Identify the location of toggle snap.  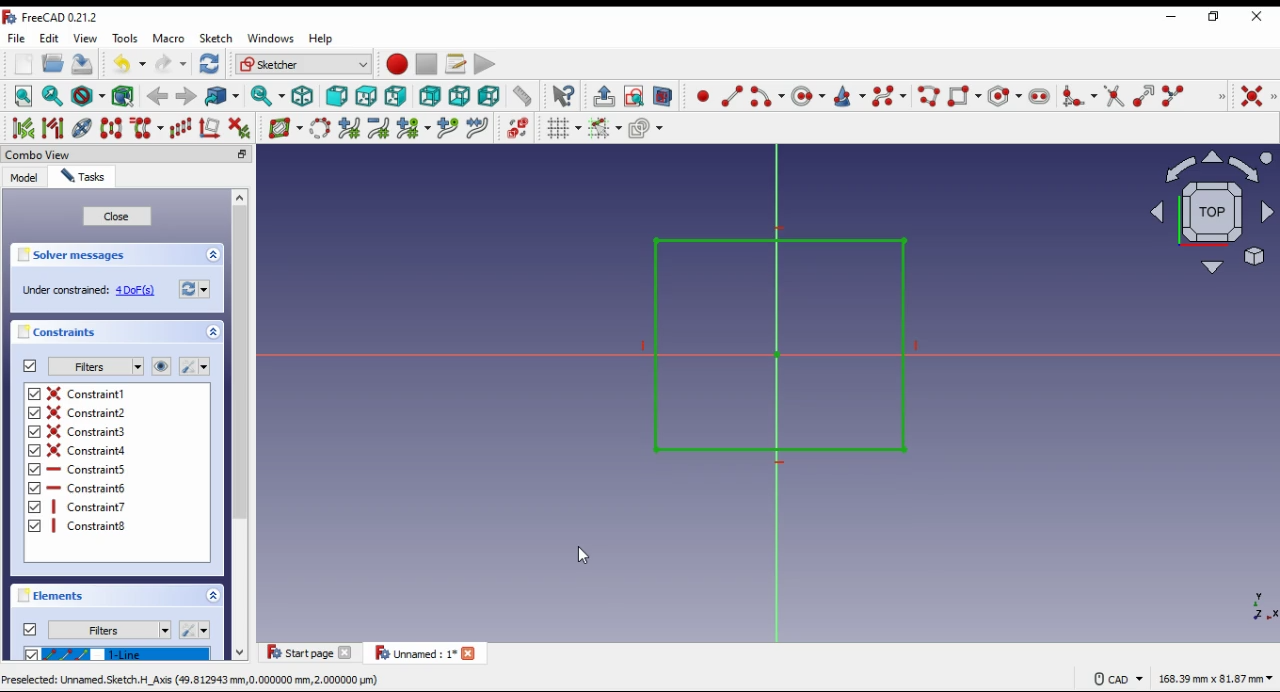
(606, 128).